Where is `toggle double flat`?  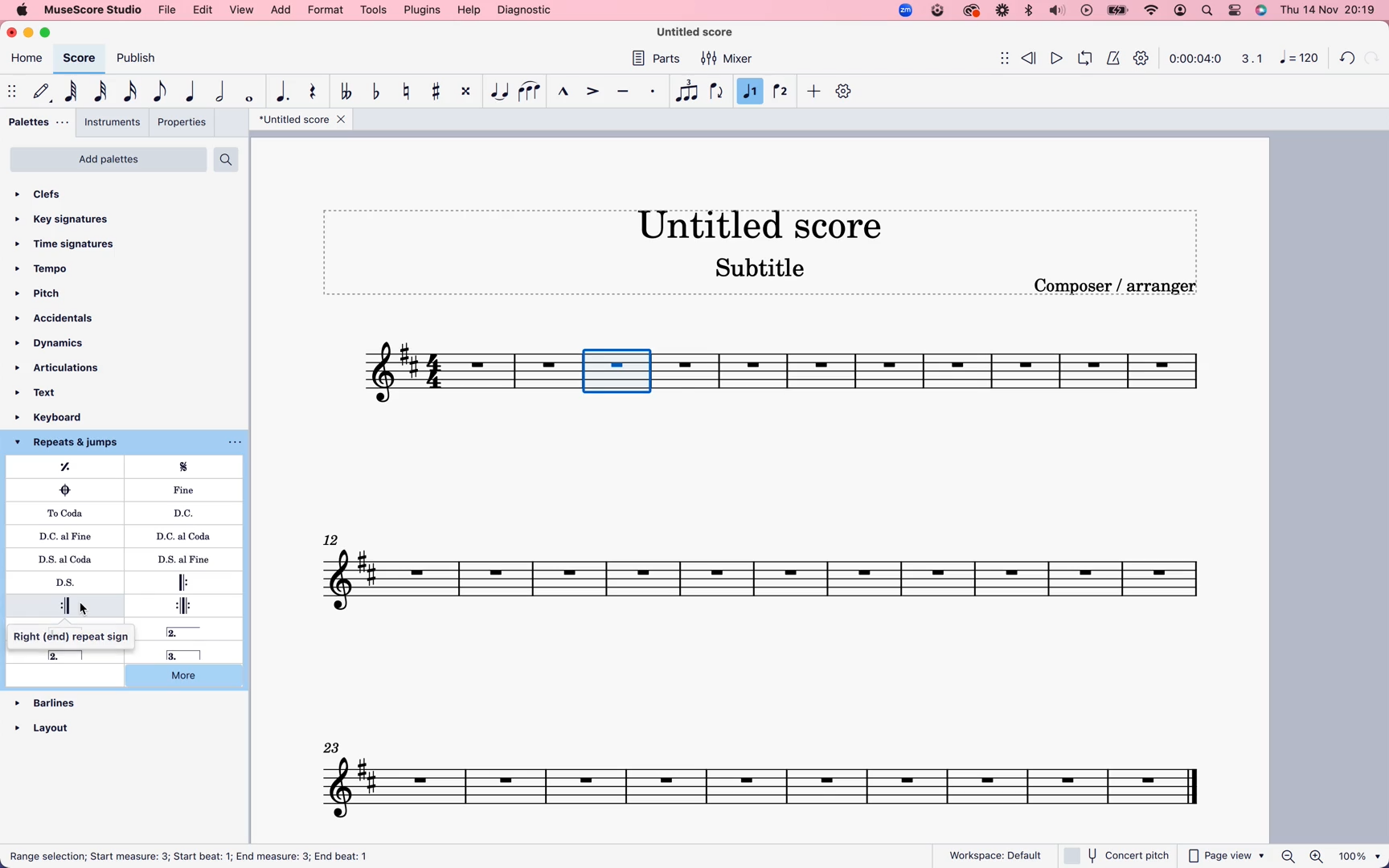
toggle double flat is located at coordinates (348, 92).